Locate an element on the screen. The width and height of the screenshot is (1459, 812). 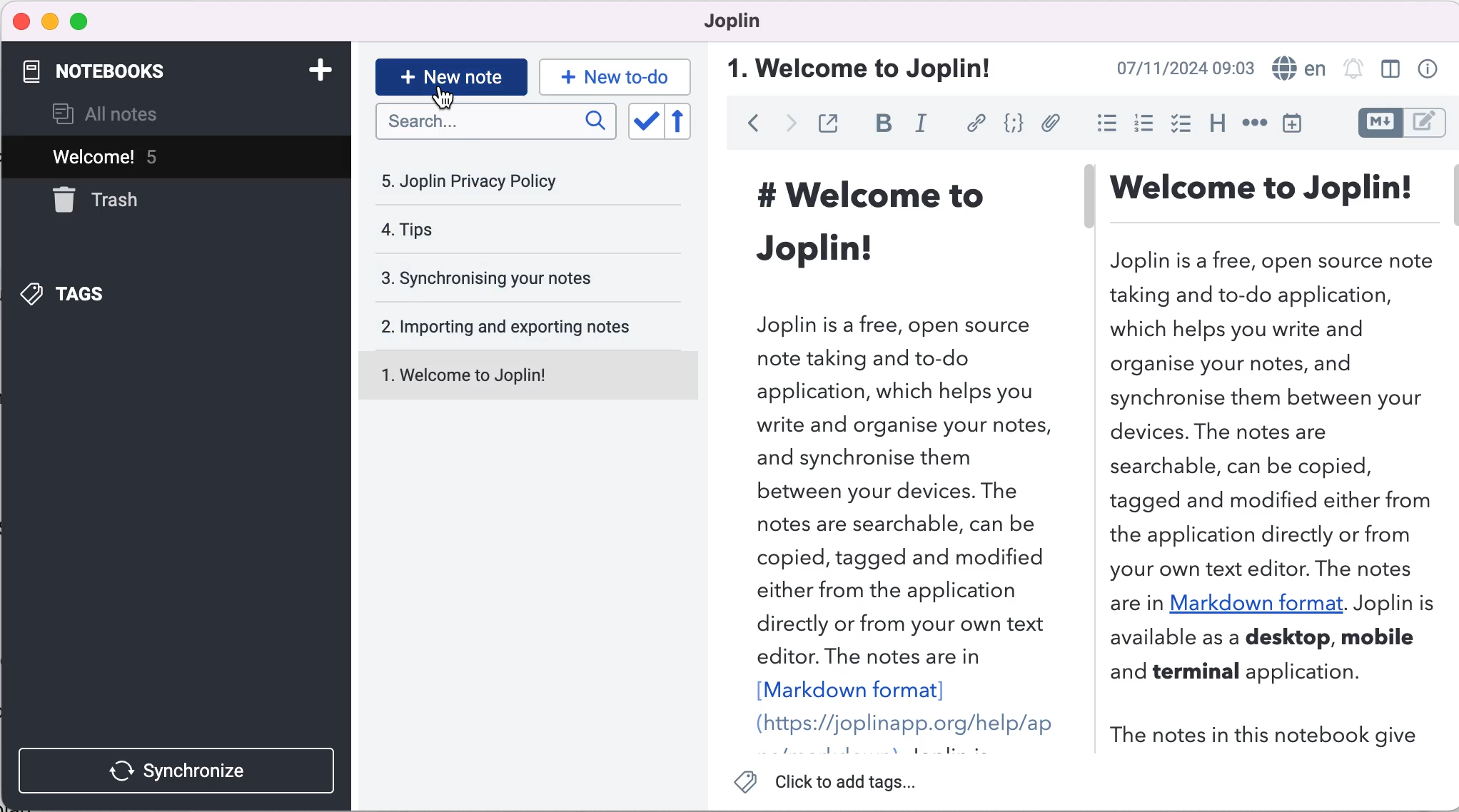
hyperlink is located at coordinates (972, 123).